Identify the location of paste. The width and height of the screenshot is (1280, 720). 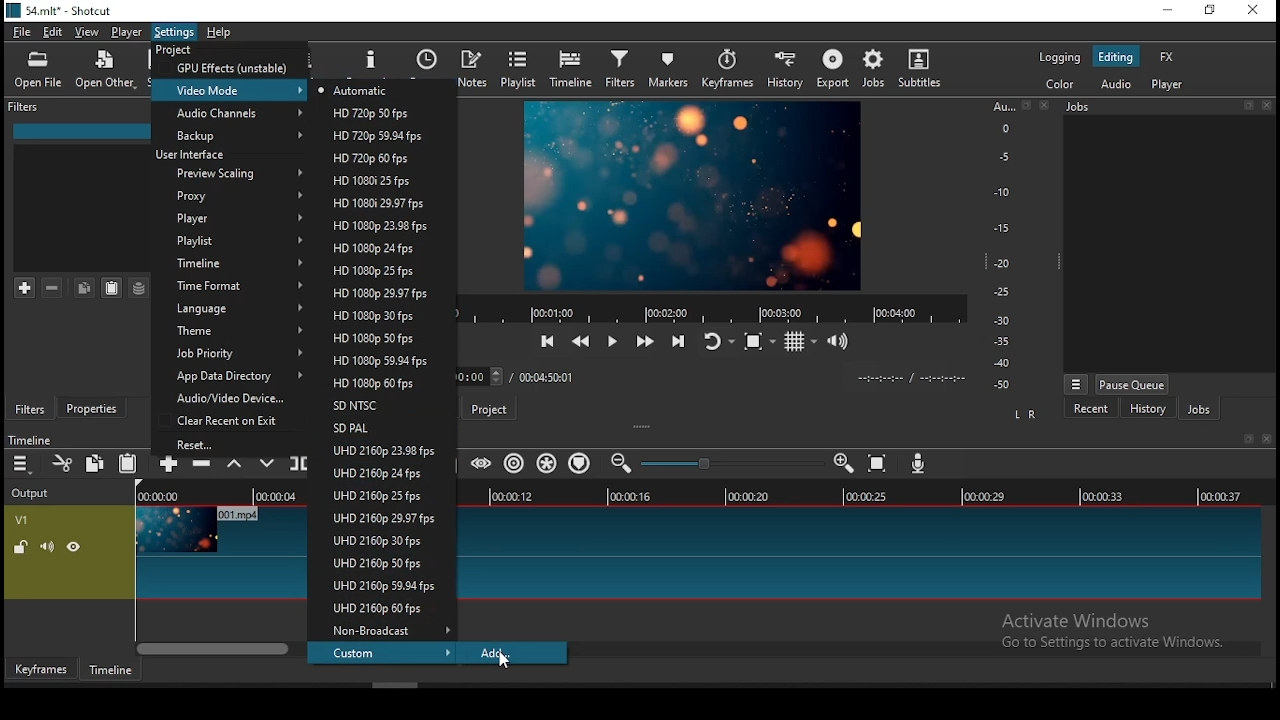
(132, 463).